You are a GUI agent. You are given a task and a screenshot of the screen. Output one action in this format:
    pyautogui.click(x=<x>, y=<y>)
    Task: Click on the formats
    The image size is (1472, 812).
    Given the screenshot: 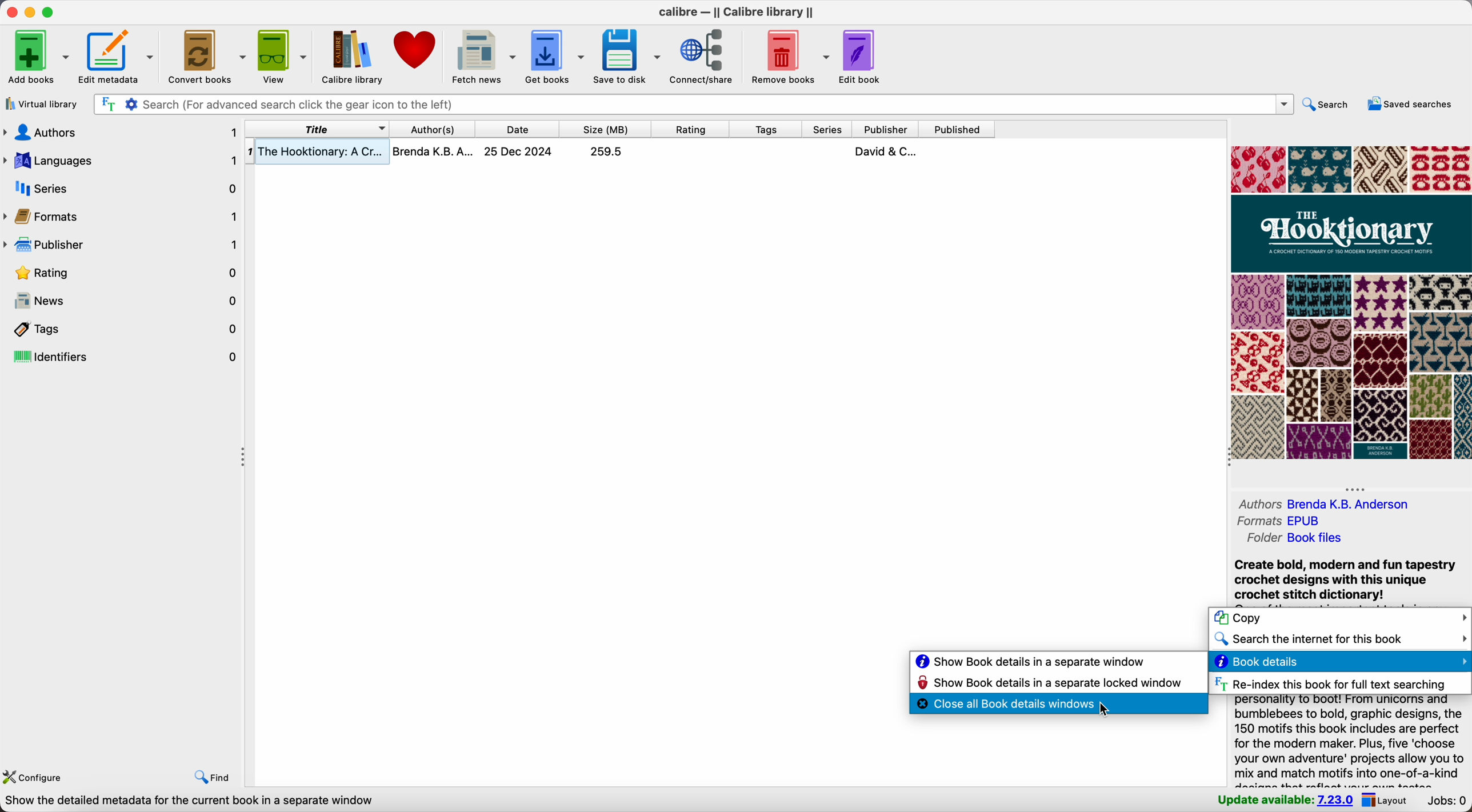 What is the action you would take?
    pyautogui.click(x=122, y=218)
    